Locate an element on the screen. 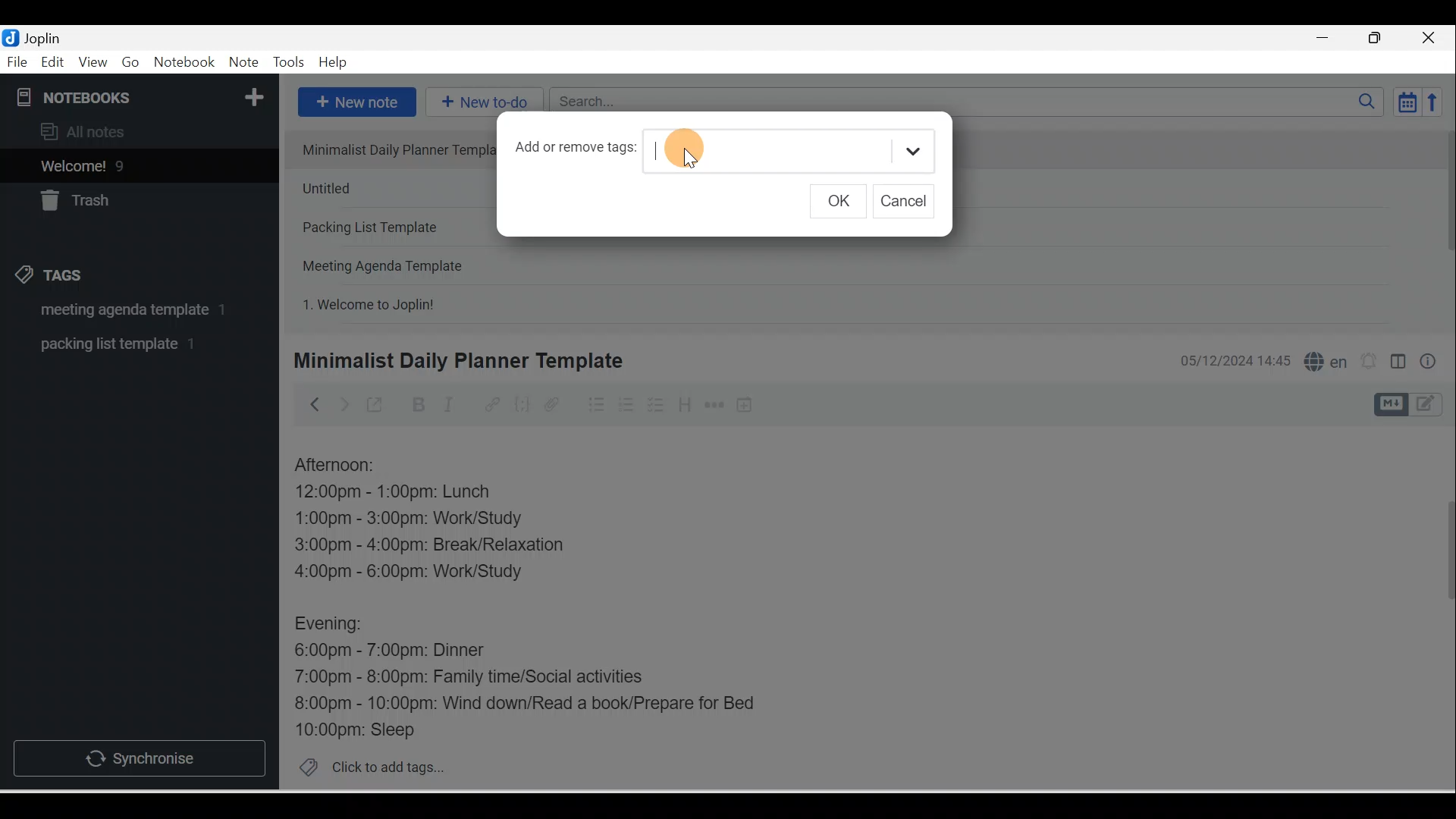  1:00pm - 3:00pm: Work/Study is located at coordinates (409, 519).